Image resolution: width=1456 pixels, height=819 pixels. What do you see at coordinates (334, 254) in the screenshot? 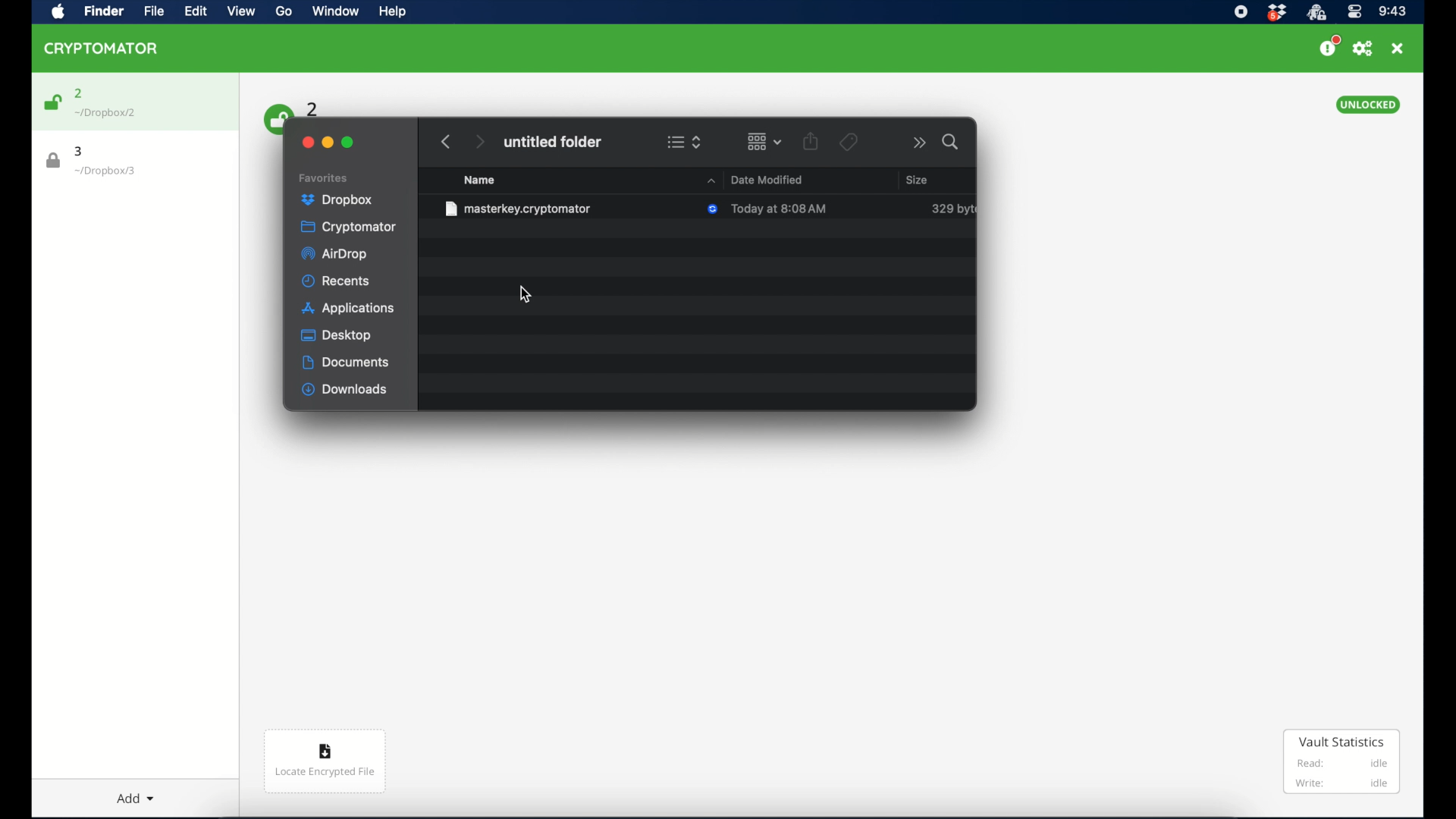
I see `airdrop` at bounding box center [334, 254].